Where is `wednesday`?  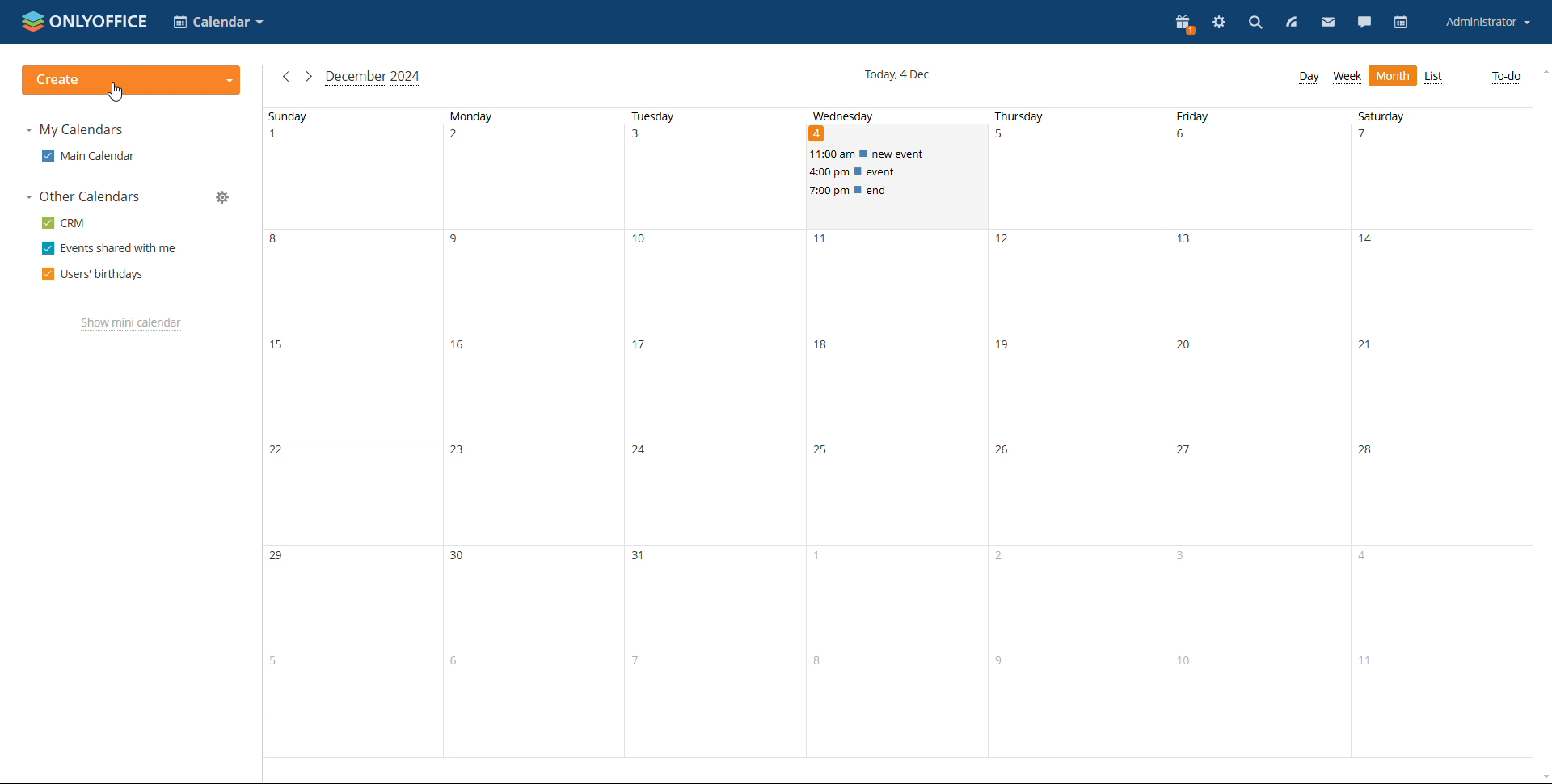
wednesday is located at coordinates (846, 114).